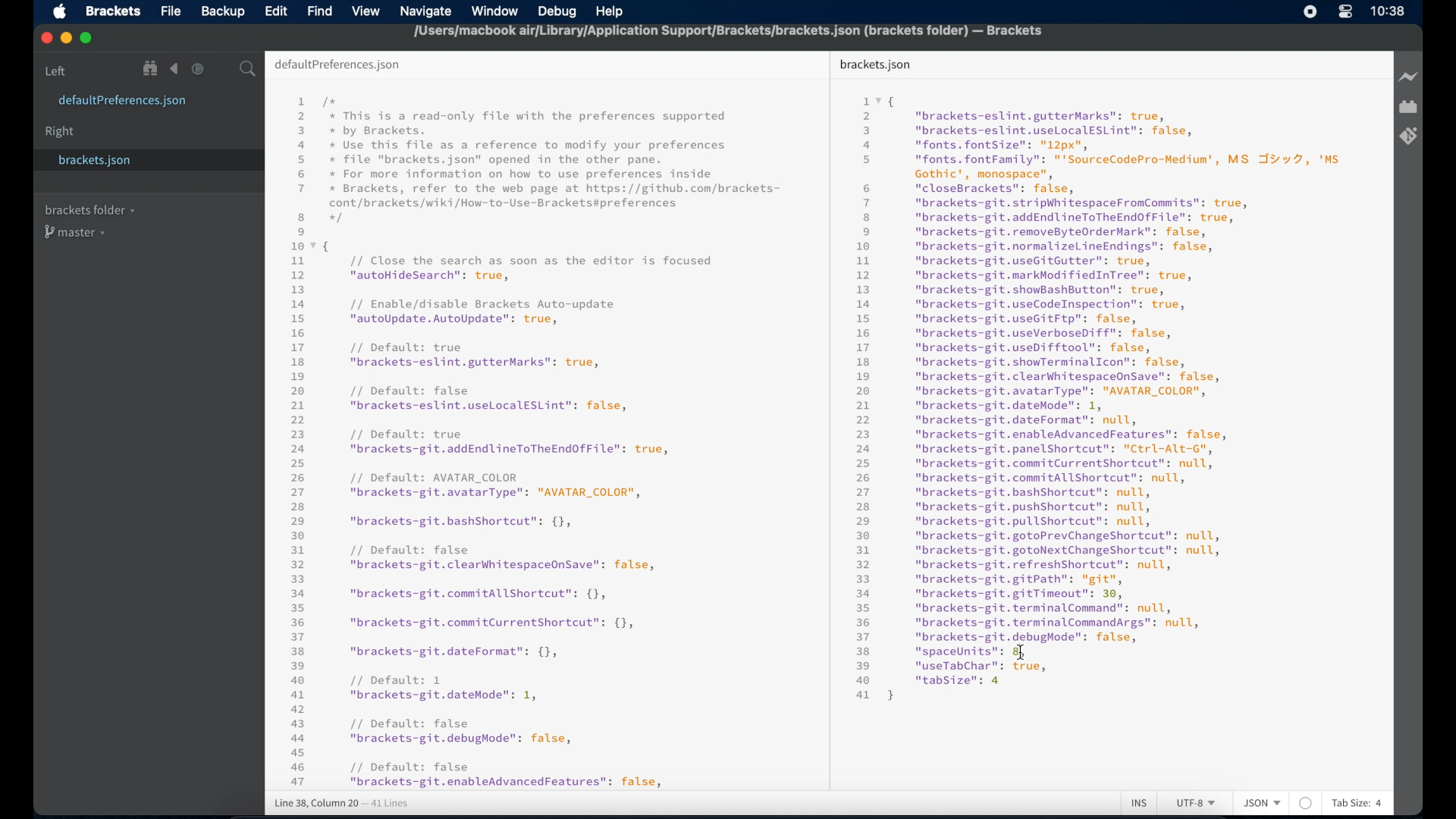 This screenshot has width=1456, height=819. Describe the element at coordinates (342, 802) in the screenshot. I see `line  38,  column 20 - 41 lines` at that location.